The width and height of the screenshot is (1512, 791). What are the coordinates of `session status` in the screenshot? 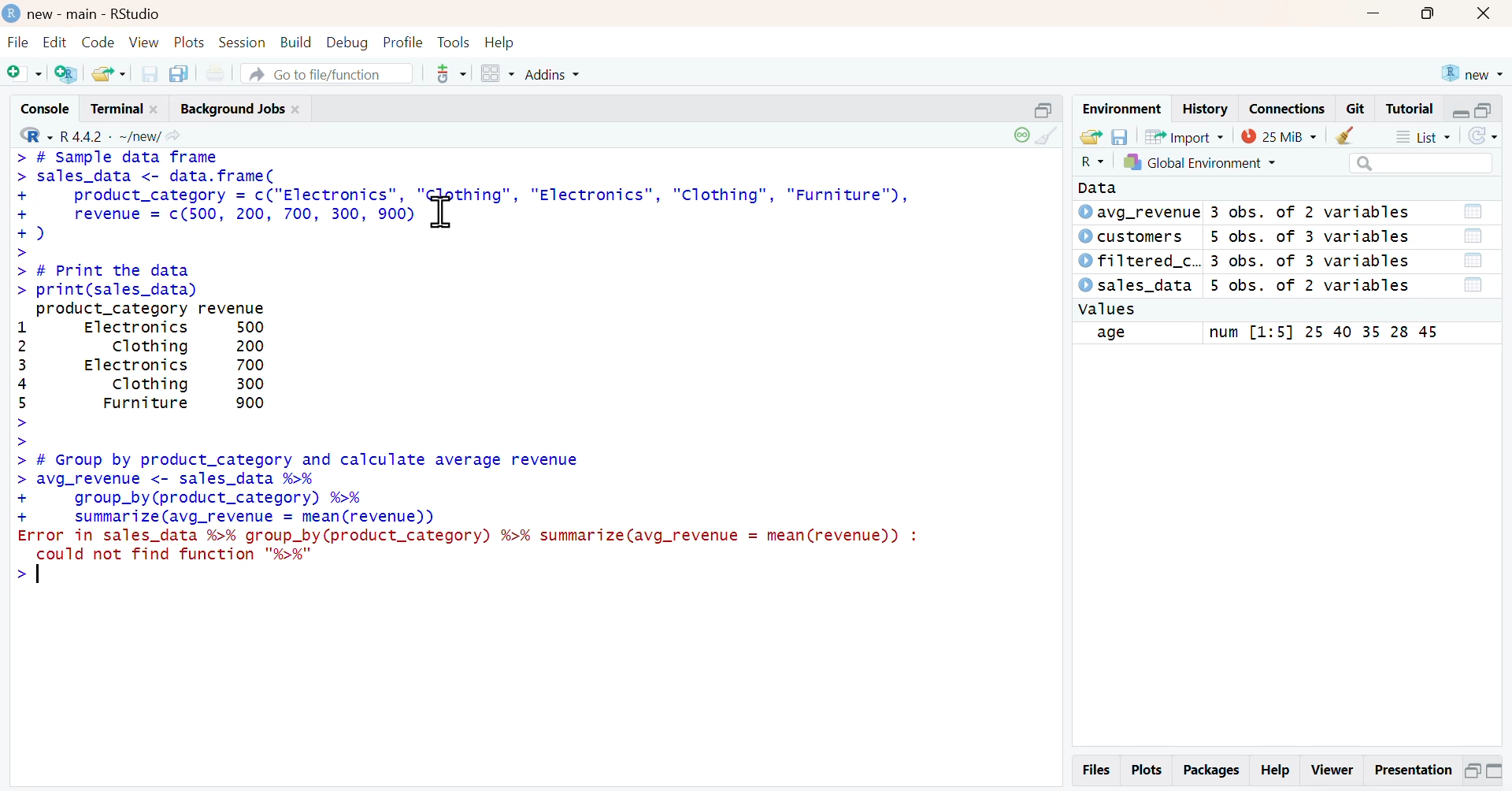 It's located at (1020, 136).